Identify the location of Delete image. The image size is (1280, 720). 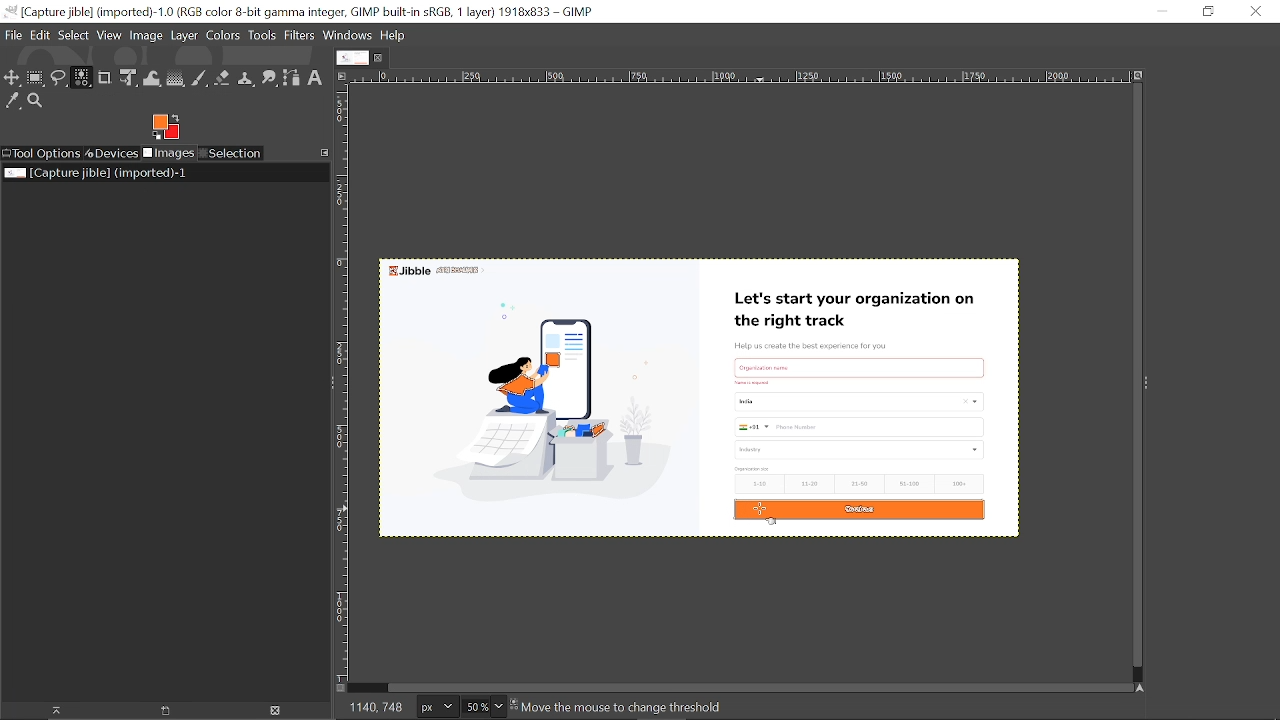
(277, 711).